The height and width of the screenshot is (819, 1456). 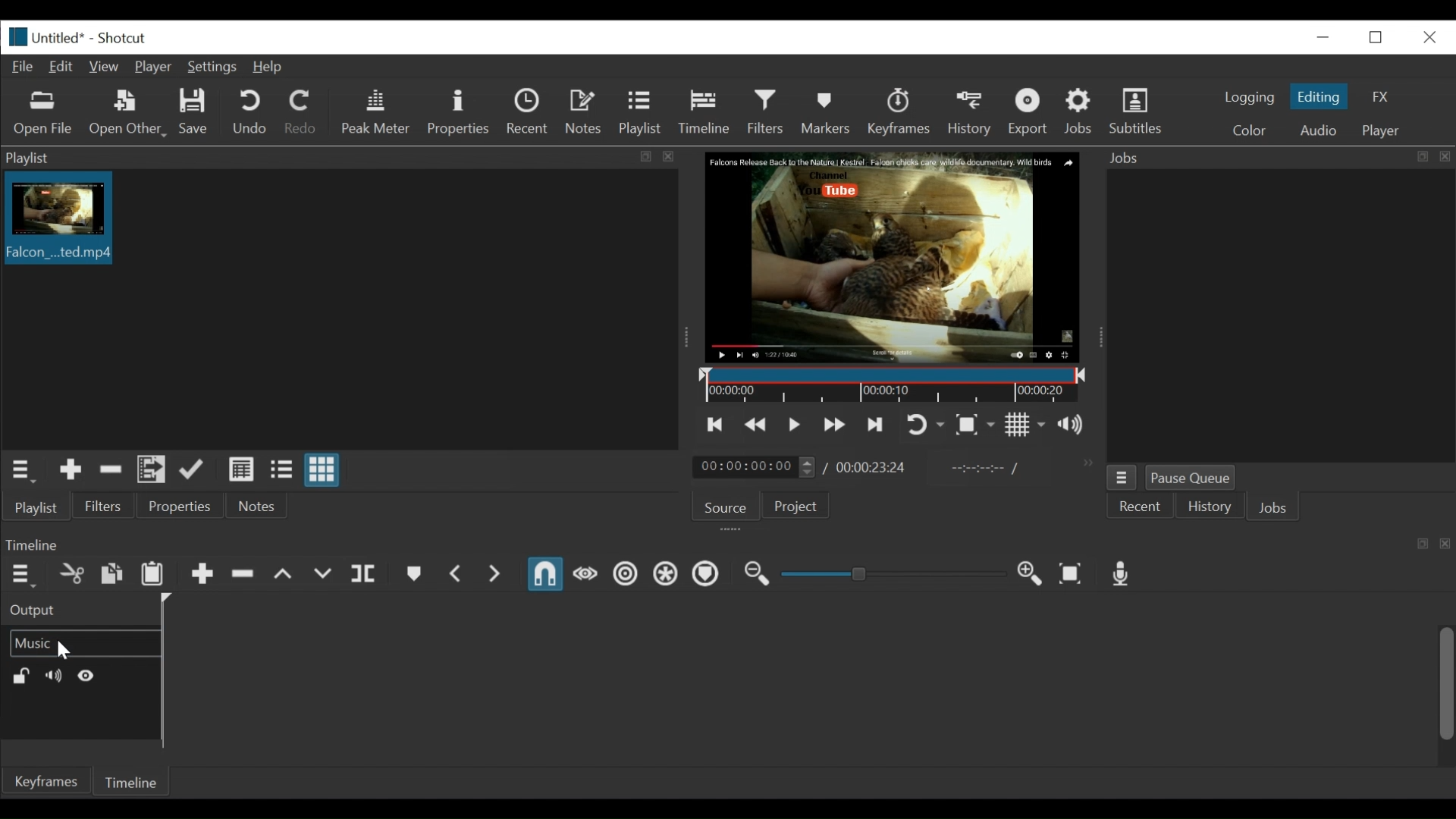 What do you see at coordinates (899, 113) in the screenshot?
I see `Keyframe` at bounding box center [899, 113].